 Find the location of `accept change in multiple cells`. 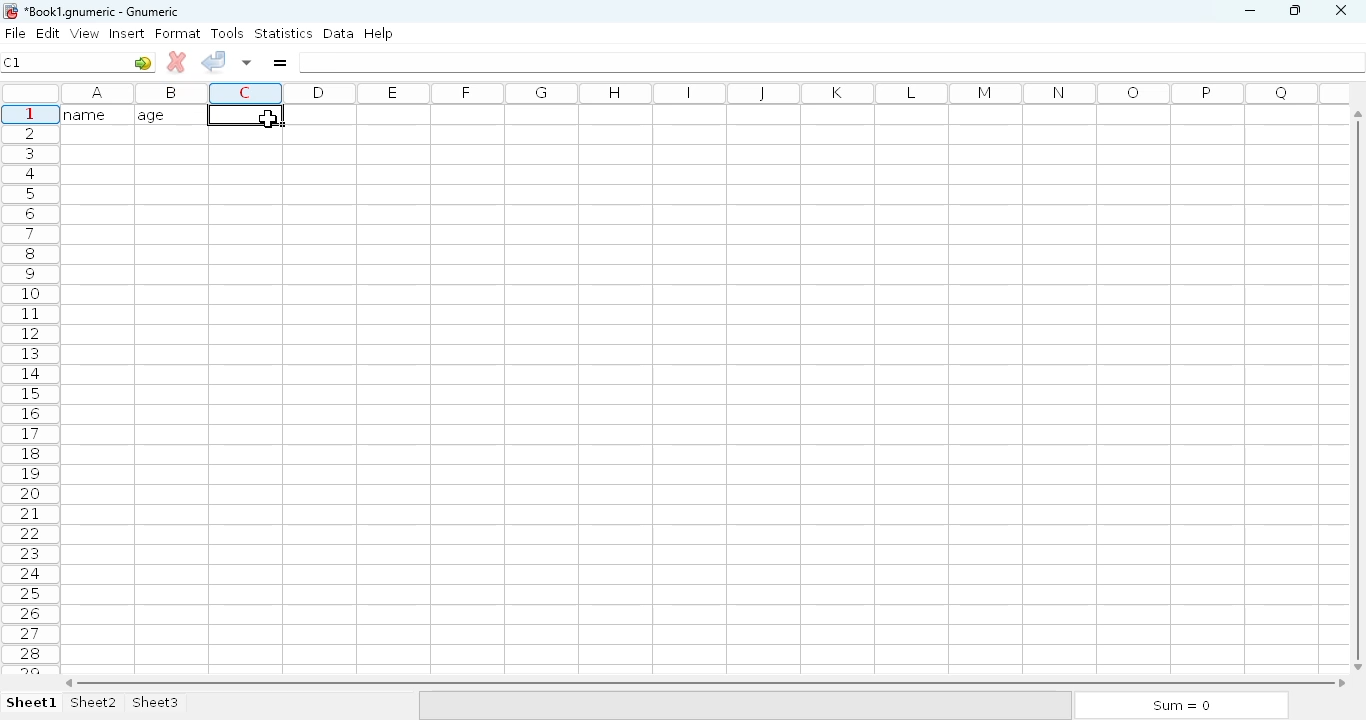

accept change in multiple cells is located at coordinates (247, 62).